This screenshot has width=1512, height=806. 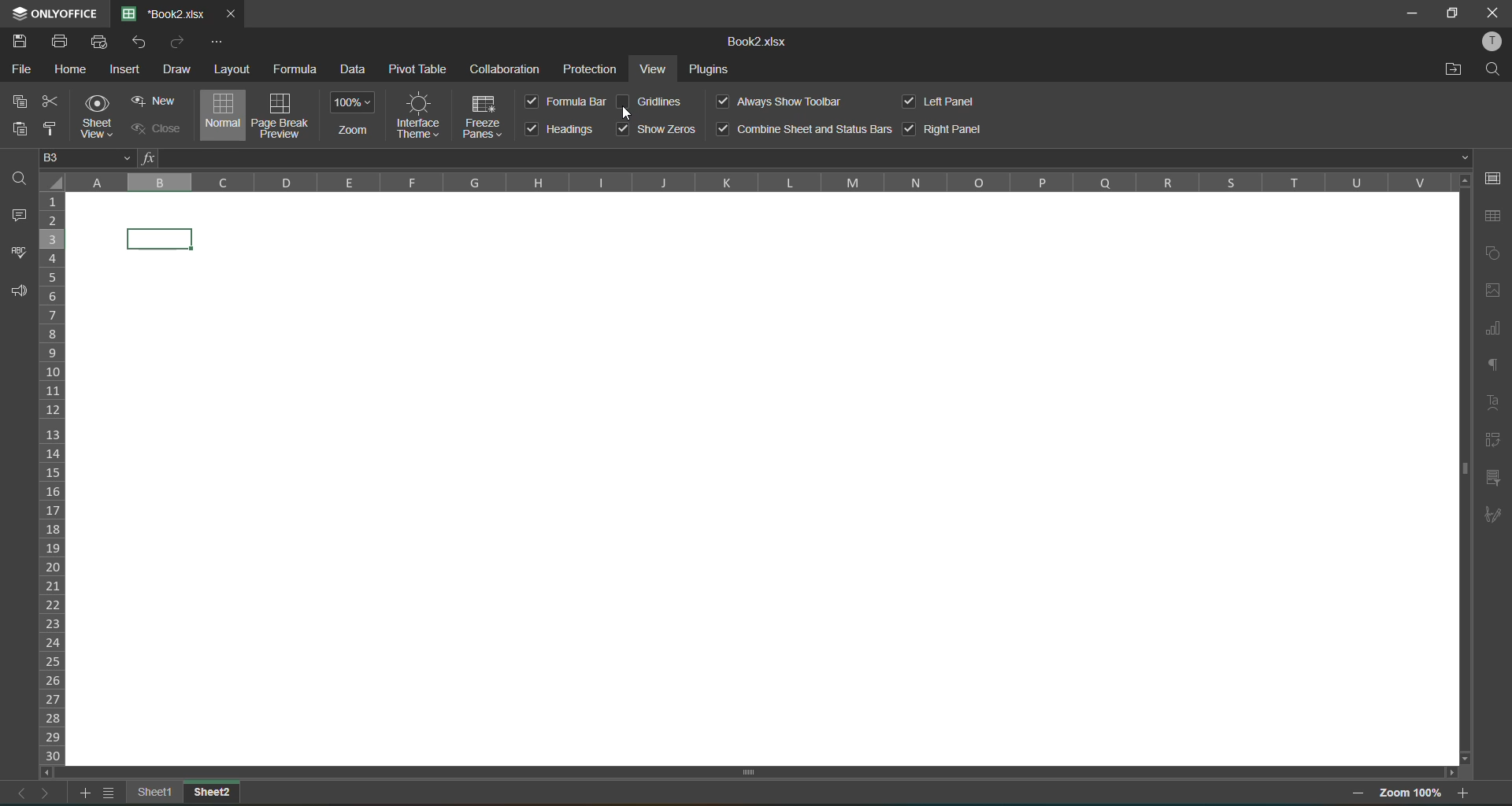 I want to click on undo, so click(x=143, y=41).